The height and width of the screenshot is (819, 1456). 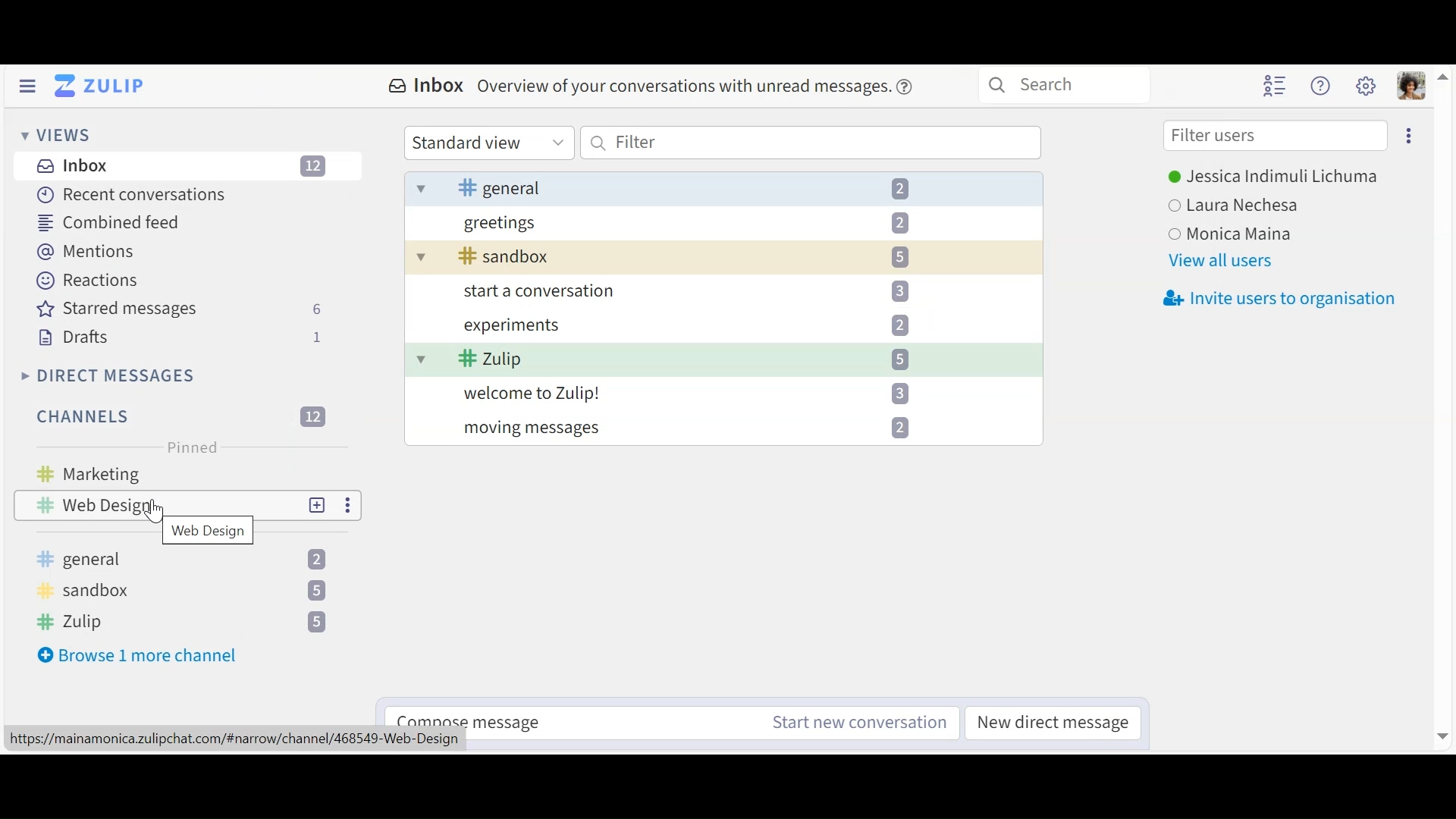 I want to click on Hide user list, so click(x=1276, y=86).